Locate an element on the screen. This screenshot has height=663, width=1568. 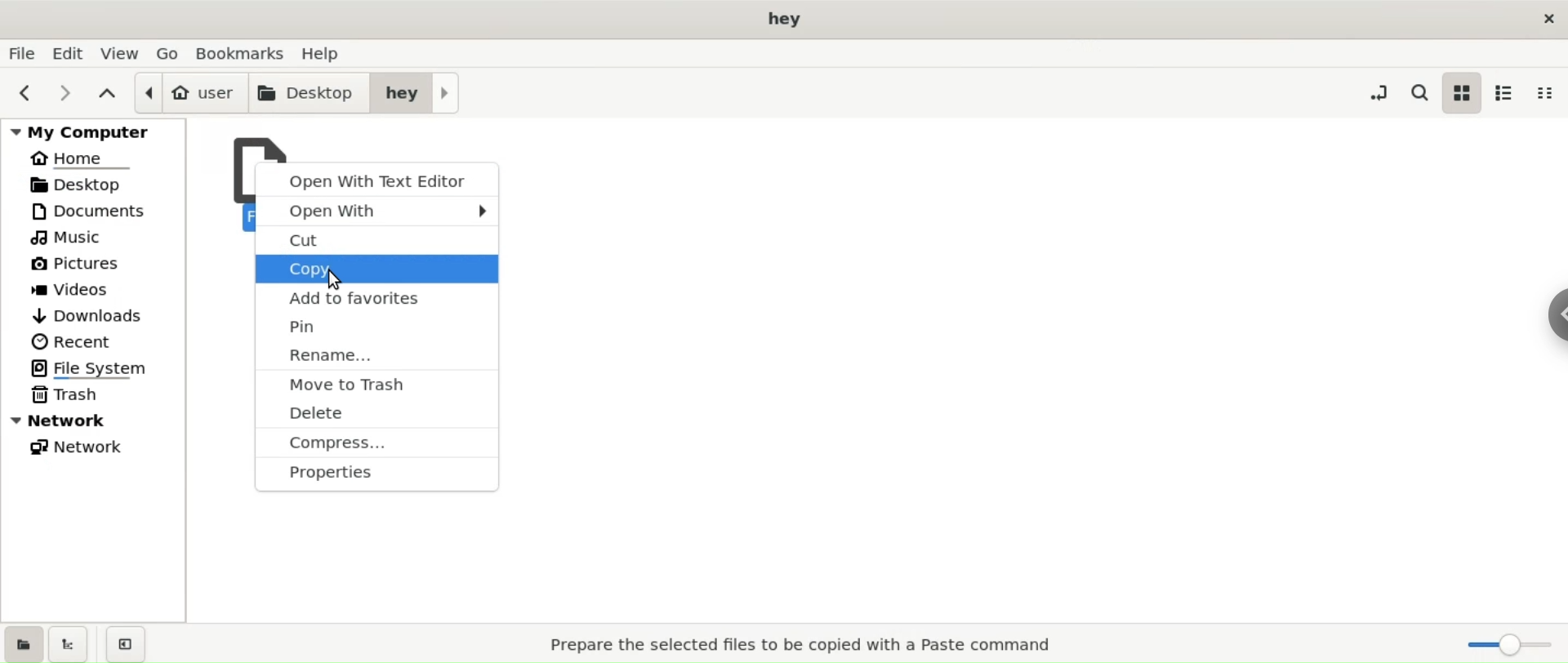
open with text editor is located at coordinates (377, 178).